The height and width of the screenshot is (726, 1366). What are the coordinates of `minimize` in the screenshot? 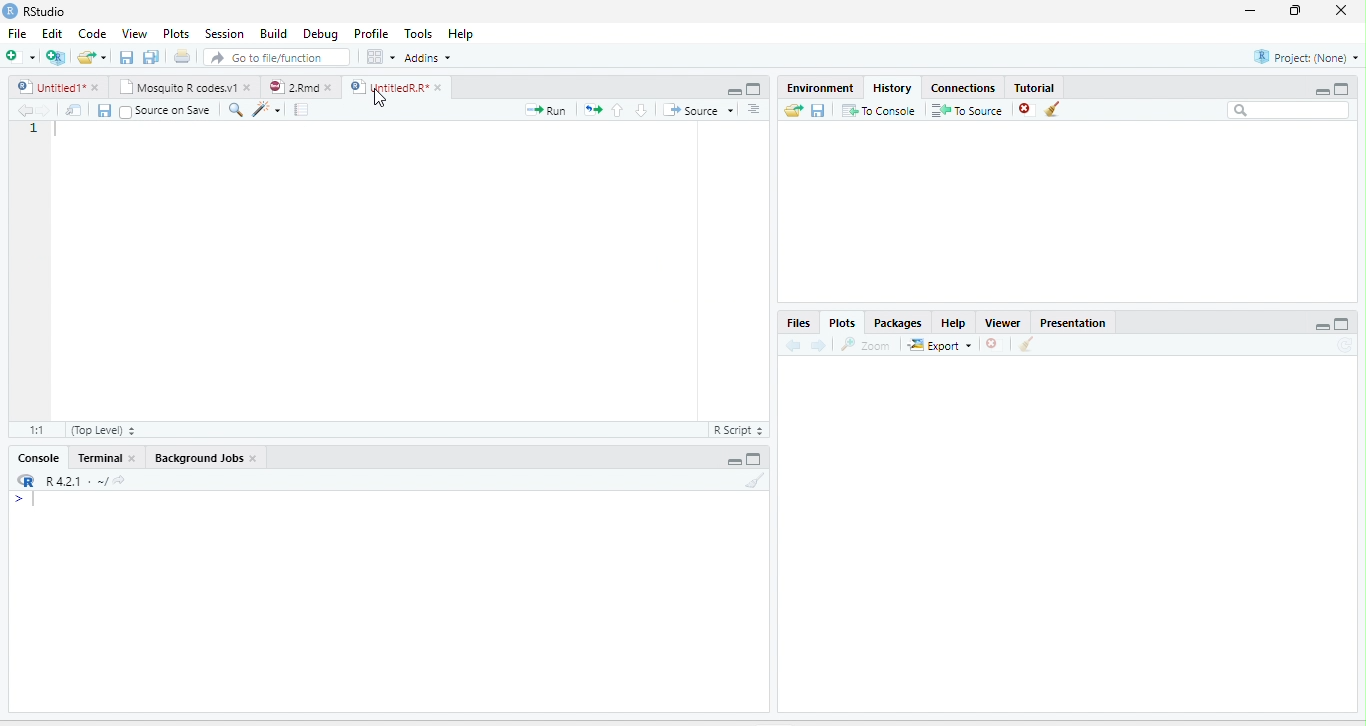 It's located at (1250, 11).